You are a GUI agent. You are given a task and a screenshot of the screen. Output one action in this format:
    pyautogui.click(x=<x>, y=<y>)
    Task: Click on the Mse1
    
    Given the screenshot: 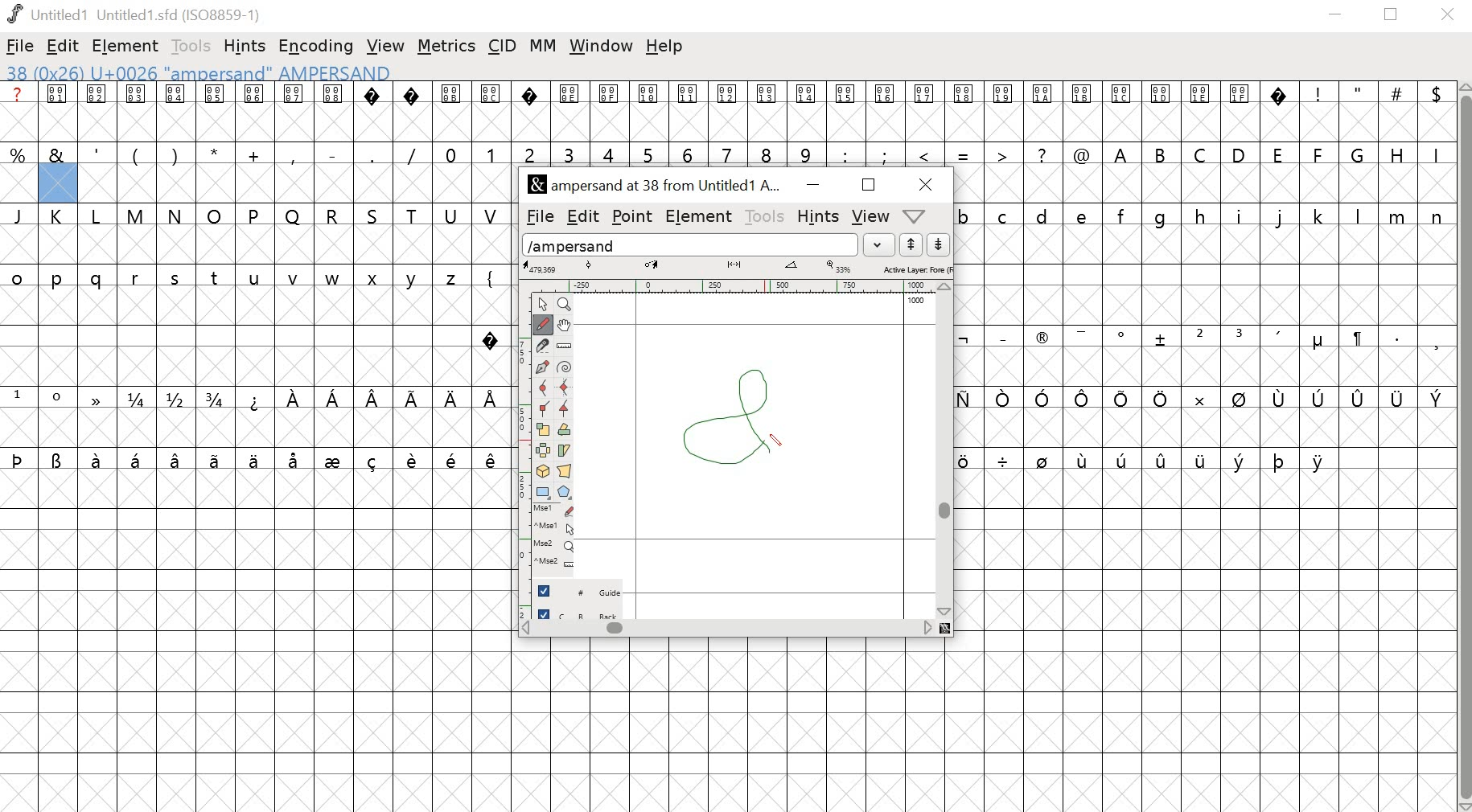 What is the action you would take?
    pyautogui.click(x=555, y=510)
    